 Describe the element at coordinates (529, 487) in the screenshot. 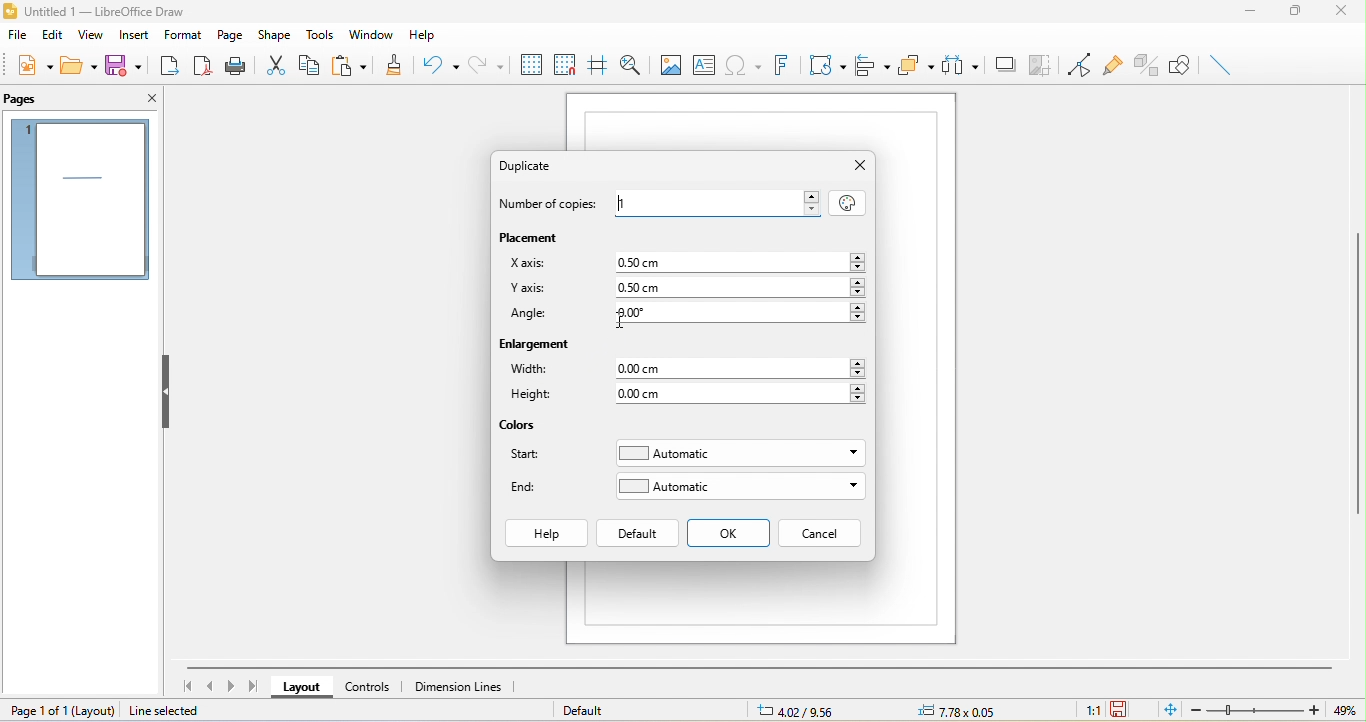

I see `end` at that location.